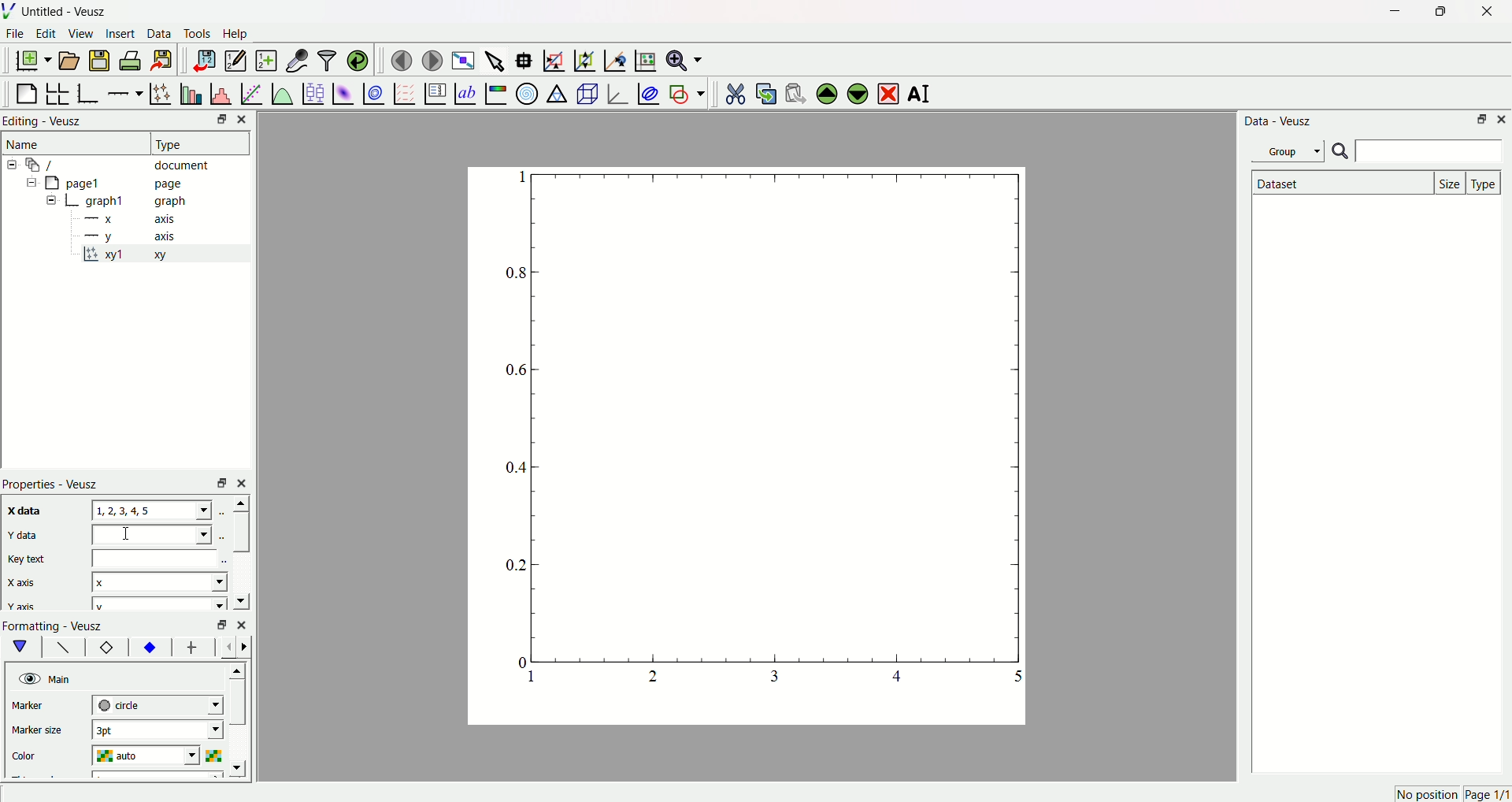  Describe the element at coordinates (28, 583) in the screenshot. I see `X axis` at that location.